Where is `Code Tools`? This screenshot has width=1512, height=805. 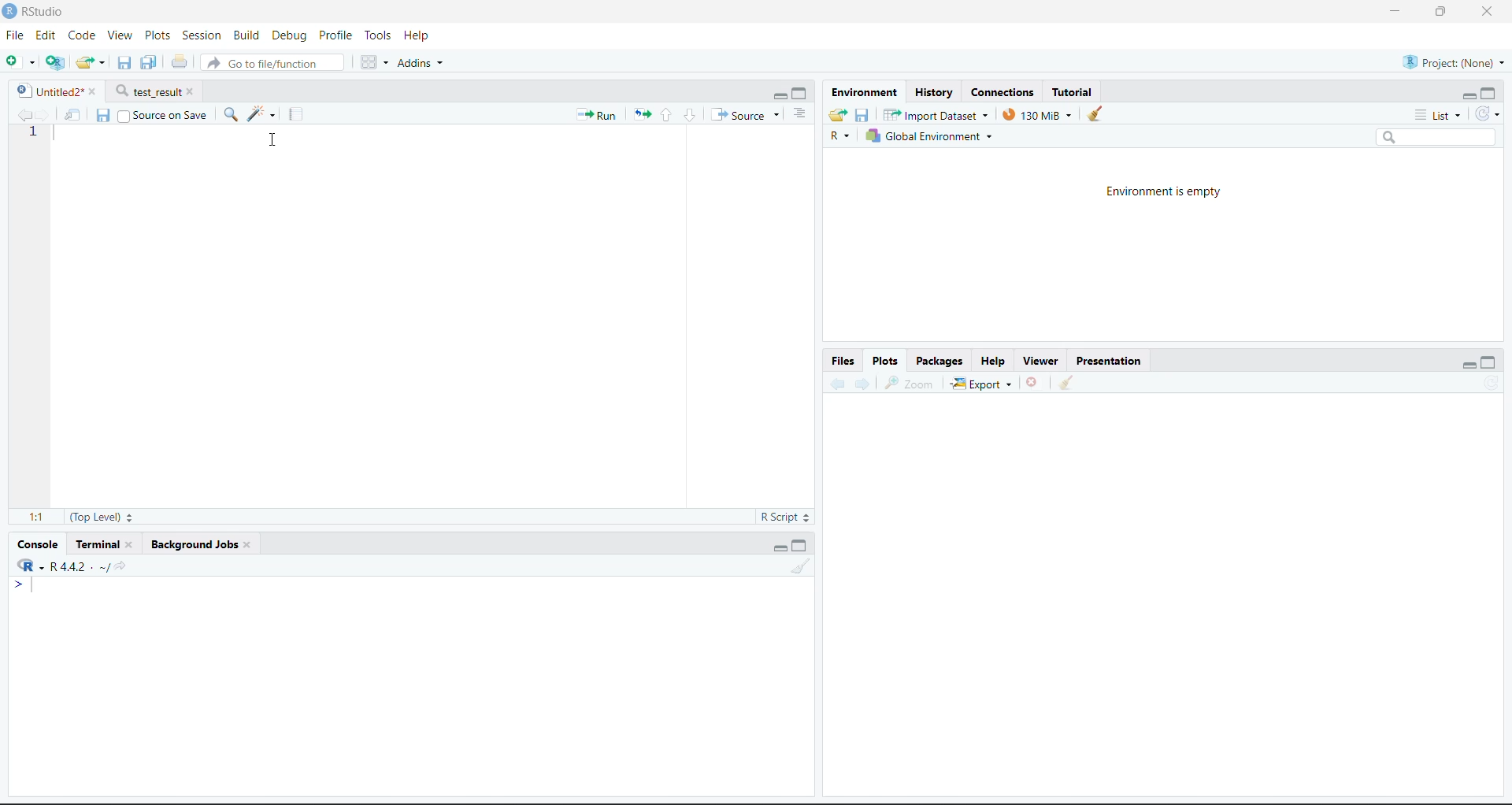
Code Tools is located at coordinates (260, 113).